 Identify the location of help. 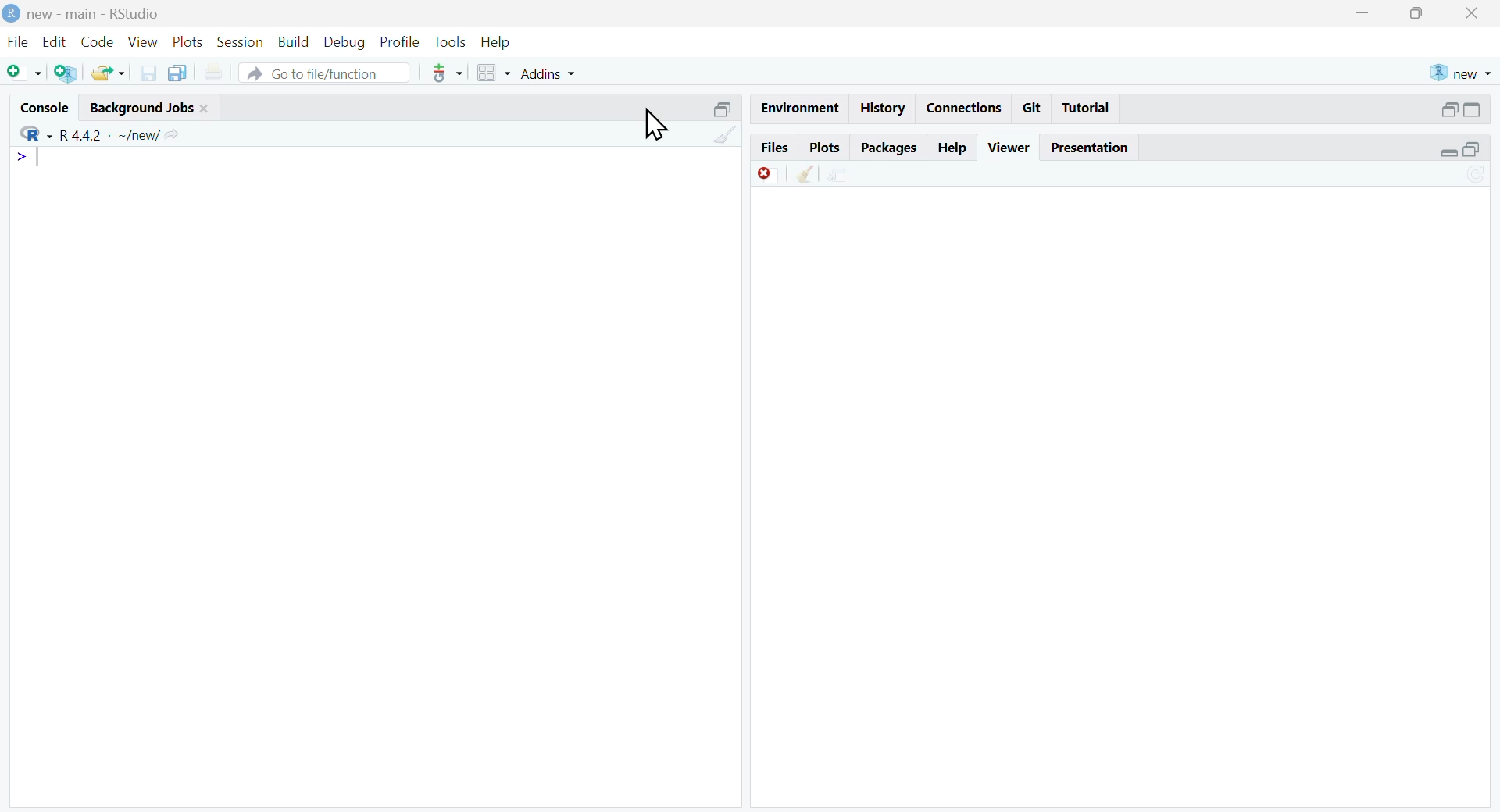
(495, 42).